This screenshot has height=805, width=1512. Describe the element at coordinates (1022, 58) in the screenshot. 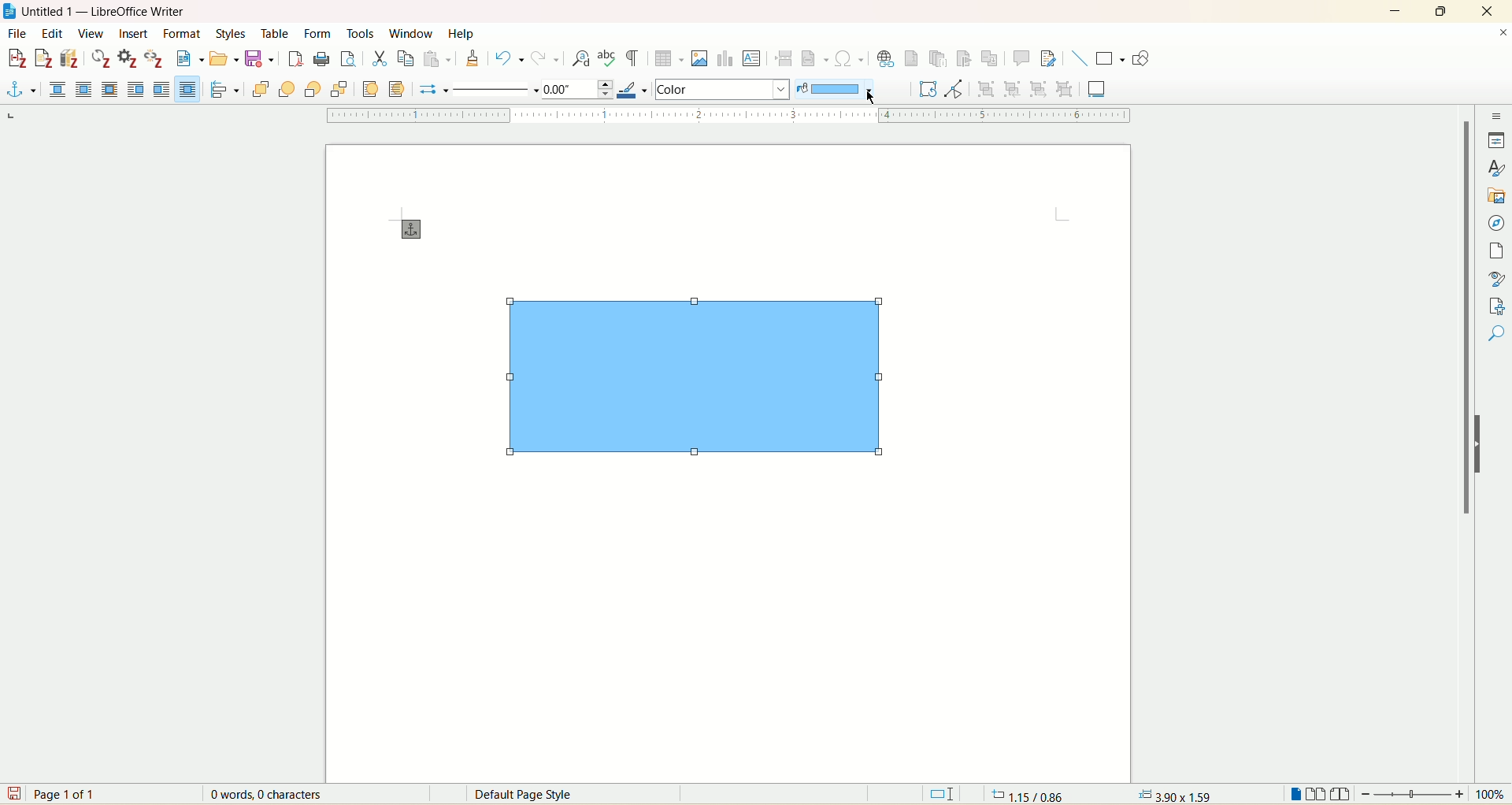

I see `insert comment` at that location.